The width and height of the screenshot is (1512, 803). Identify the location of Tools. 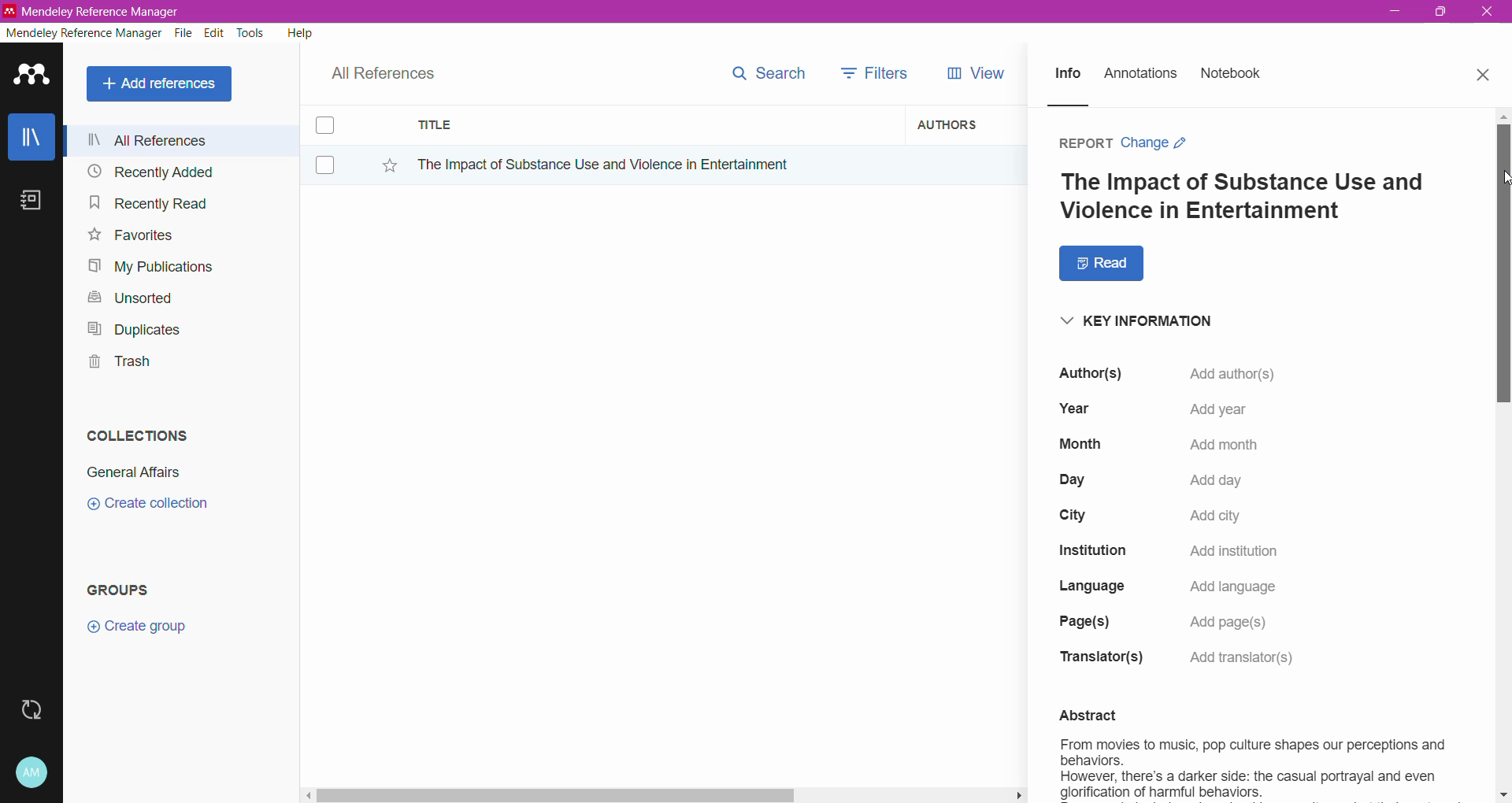
(251, 33).